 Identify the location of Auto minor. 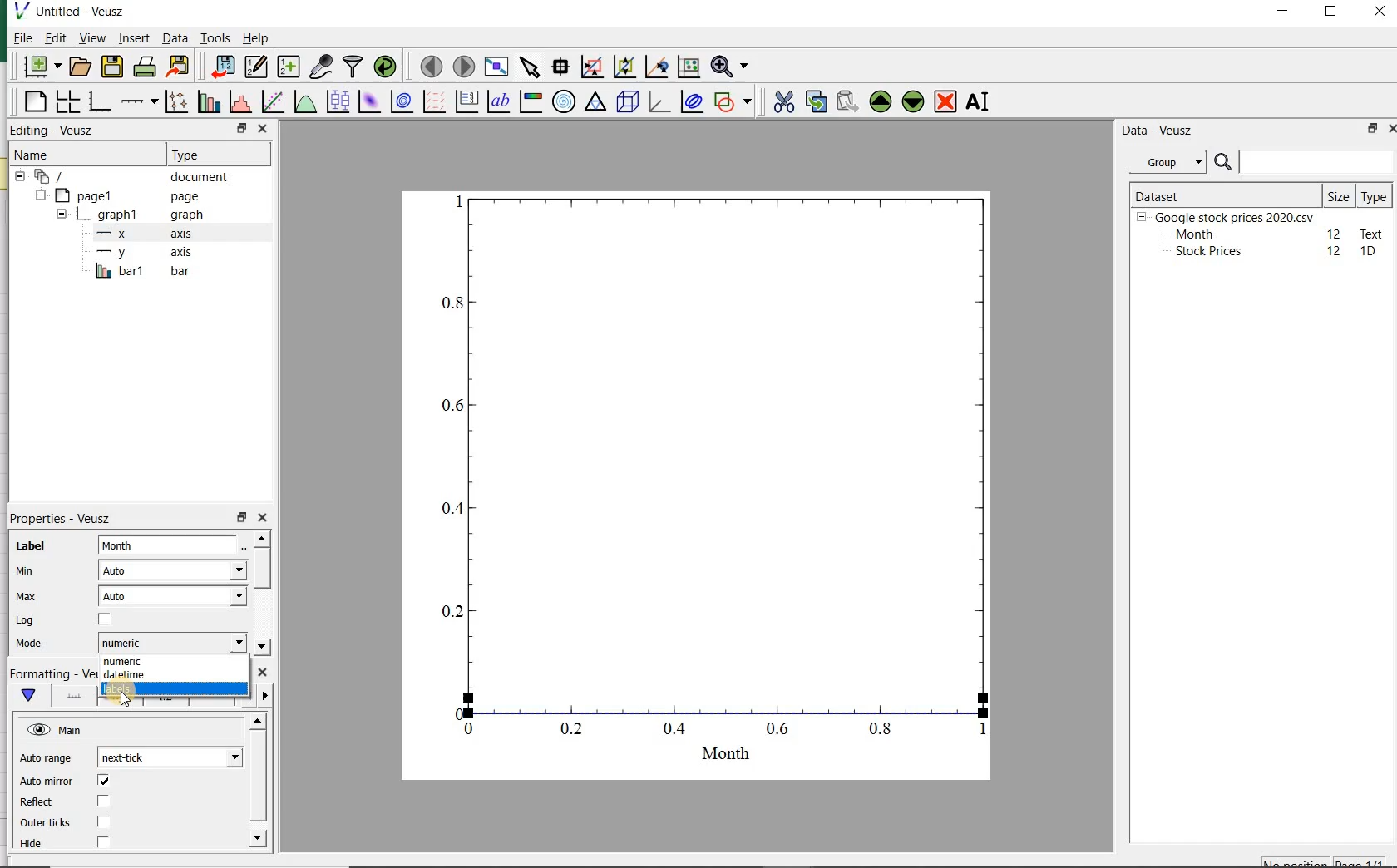
(47, 782).